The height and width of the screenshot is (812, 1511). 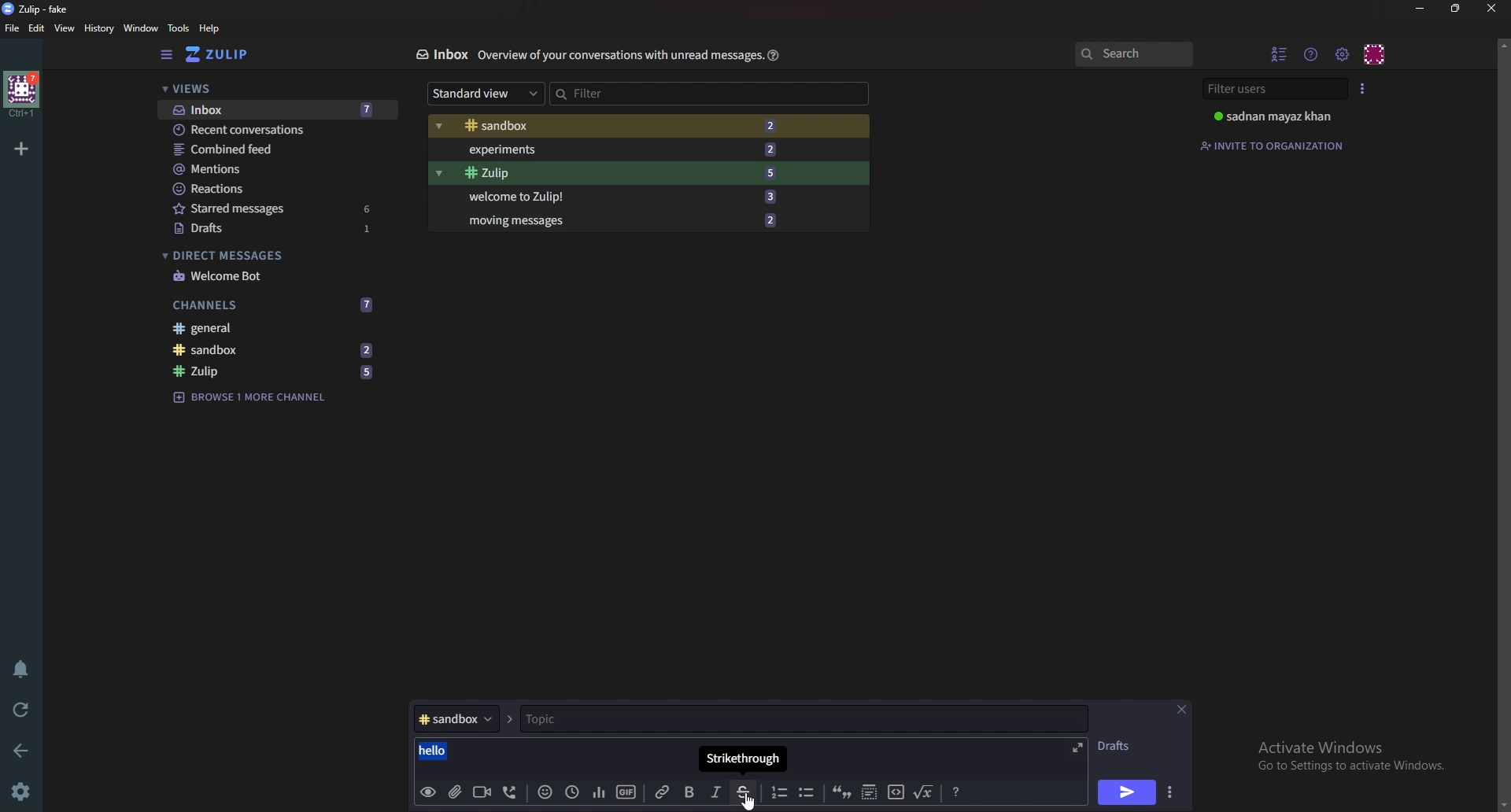 What do you see at coordinates (619, 57) in the screenshot?
I see `Info` at bounding box center [619, 57].